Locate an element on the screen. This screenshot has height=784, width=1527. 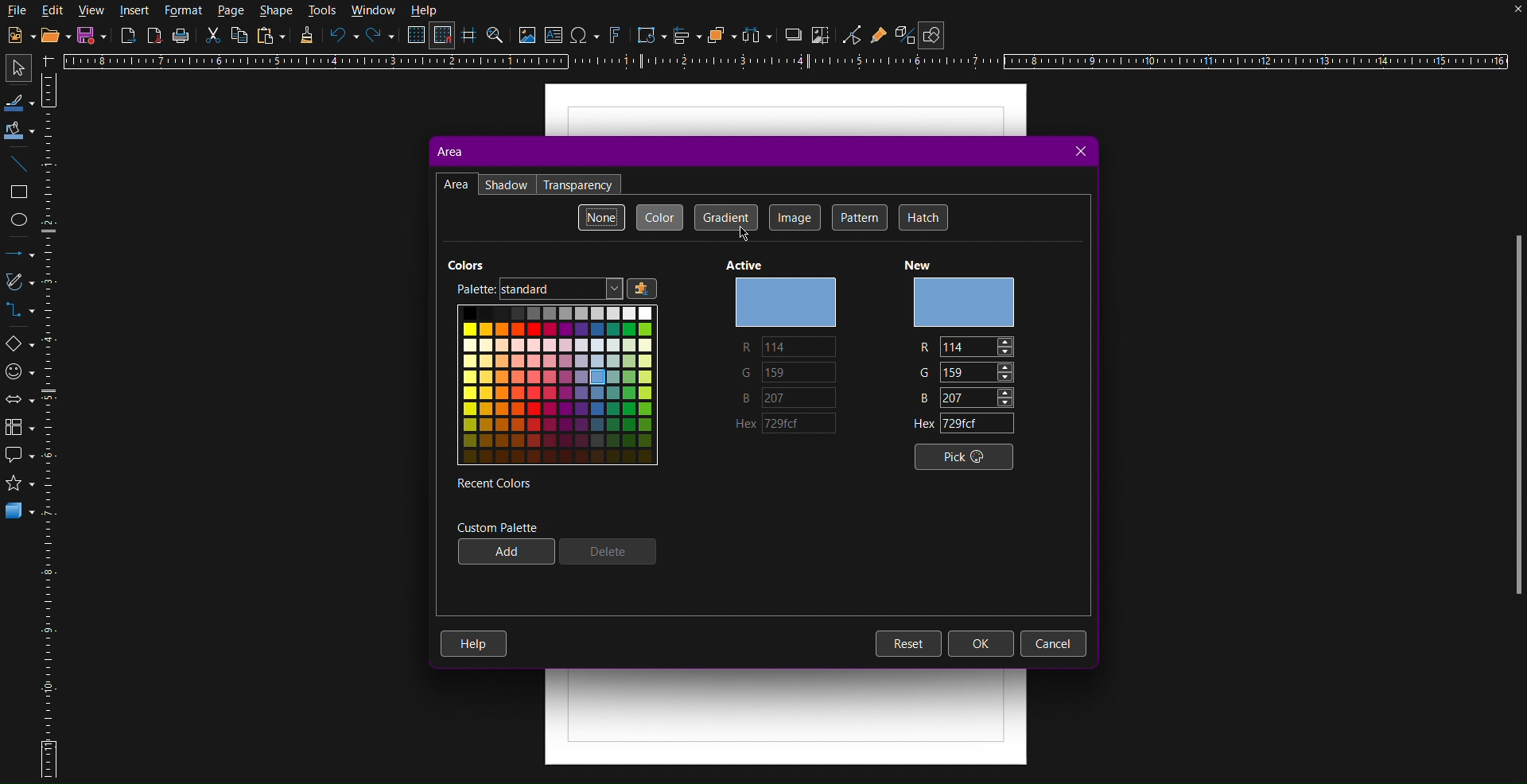
Circle is located at coordinates (20, 219).